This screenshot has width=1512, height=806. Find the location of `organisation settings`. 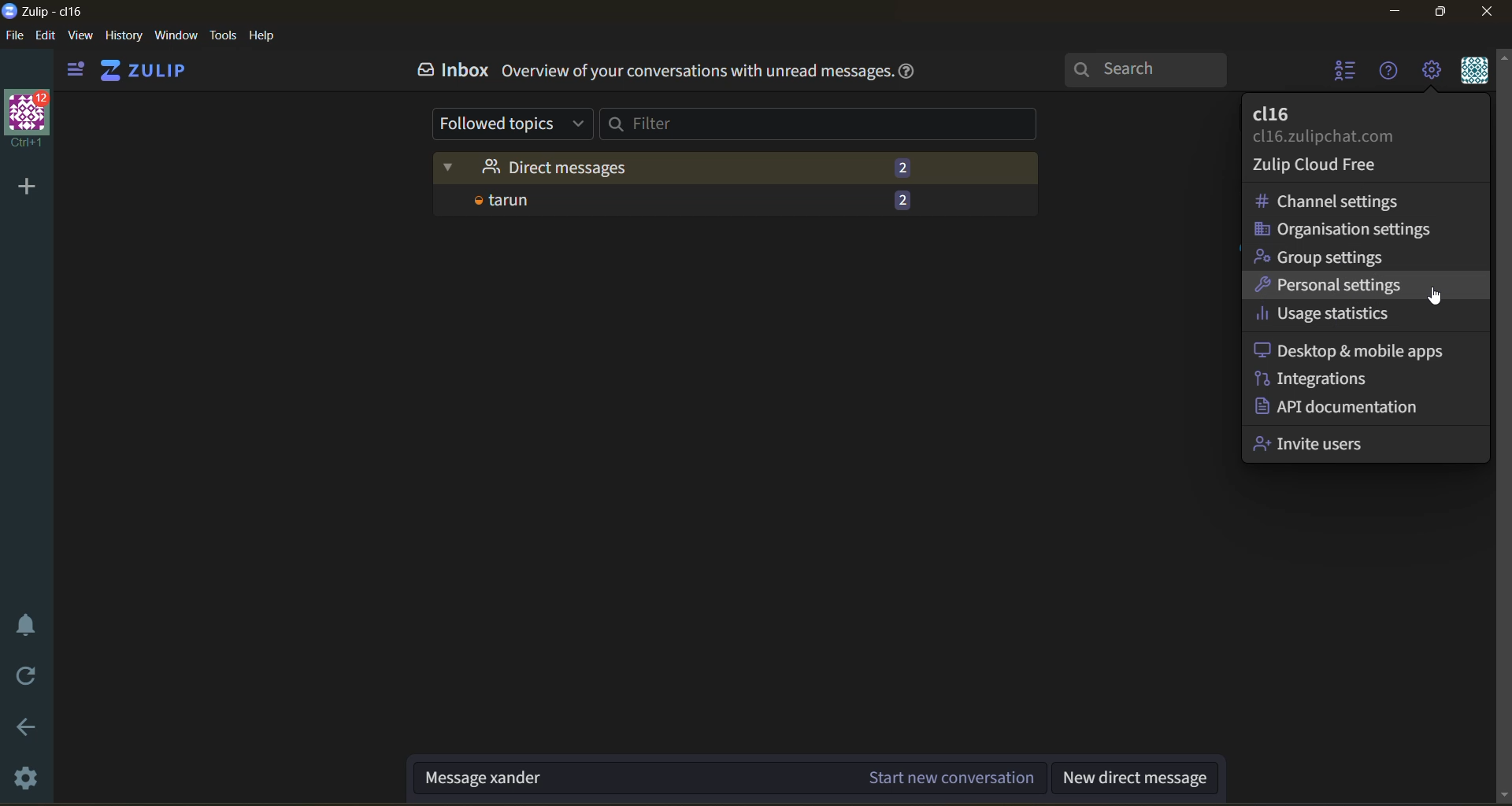

organisation settings is located at coordinates (1353, 231).